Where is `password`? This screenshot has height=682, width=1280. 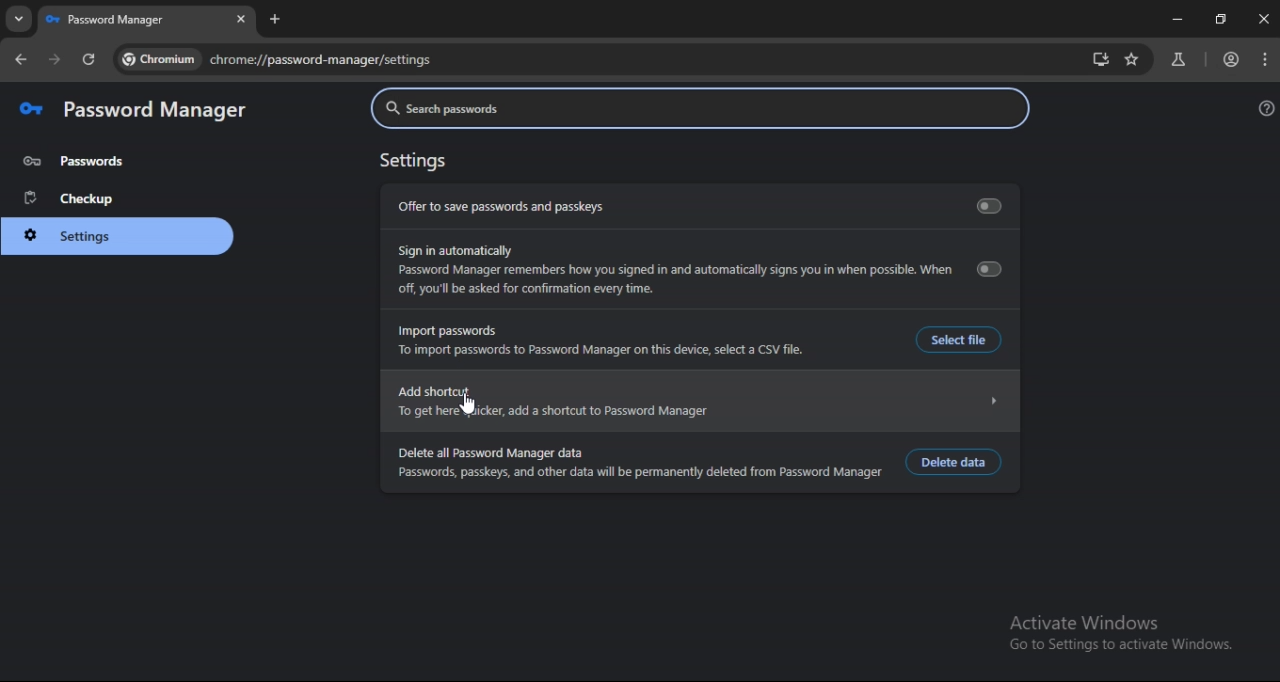
password is located at coordinates (75, 161).